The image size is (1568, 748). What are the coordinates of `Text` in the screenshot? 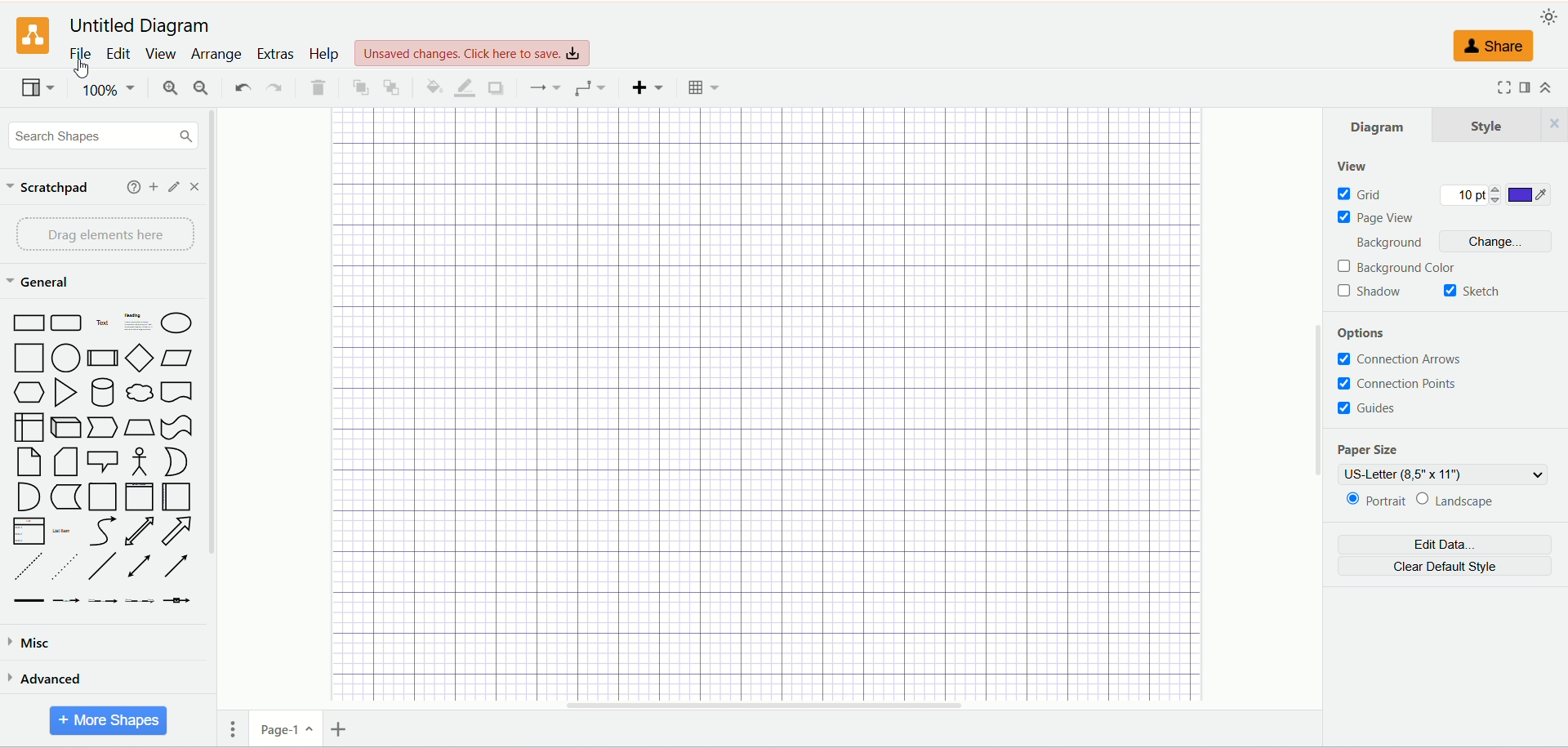 It's located at (103, 325).